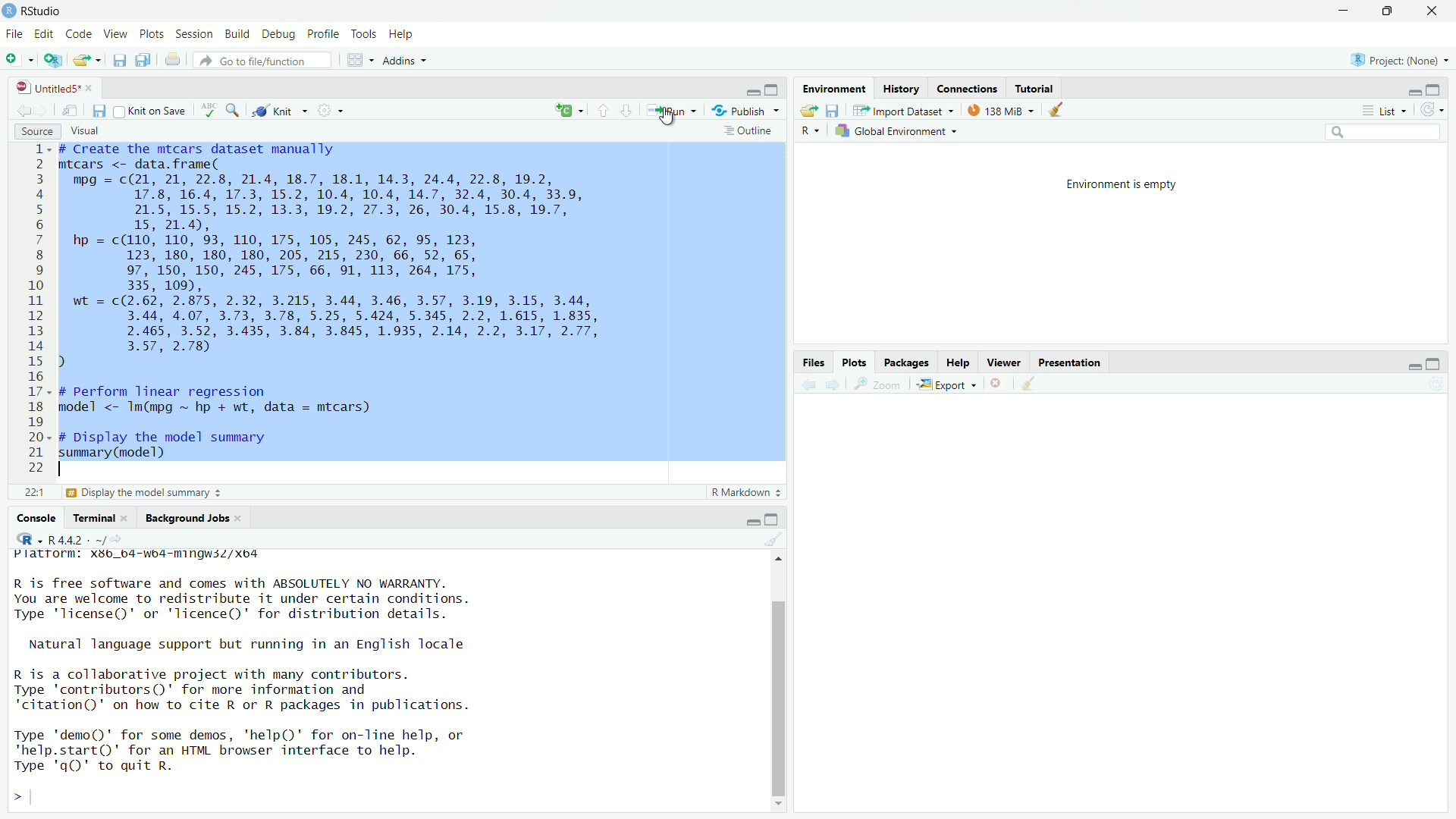  What do you see at coordinates (325, 33) in the screenshot?
I see `profile` at bounding box center [325, 33].